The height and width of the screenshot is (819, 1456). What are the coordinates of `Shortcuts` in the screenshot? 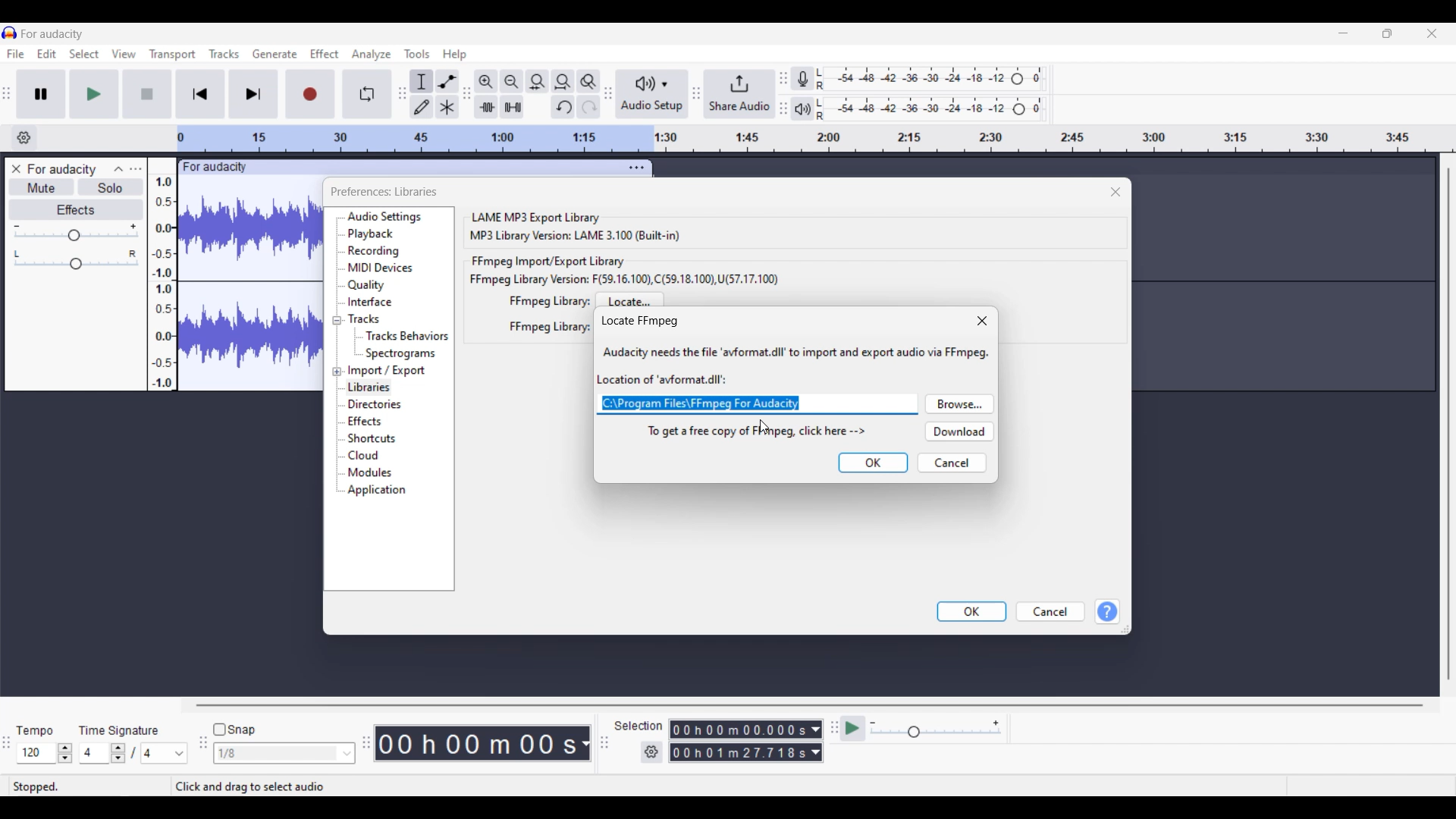 It's located at (373, 438).